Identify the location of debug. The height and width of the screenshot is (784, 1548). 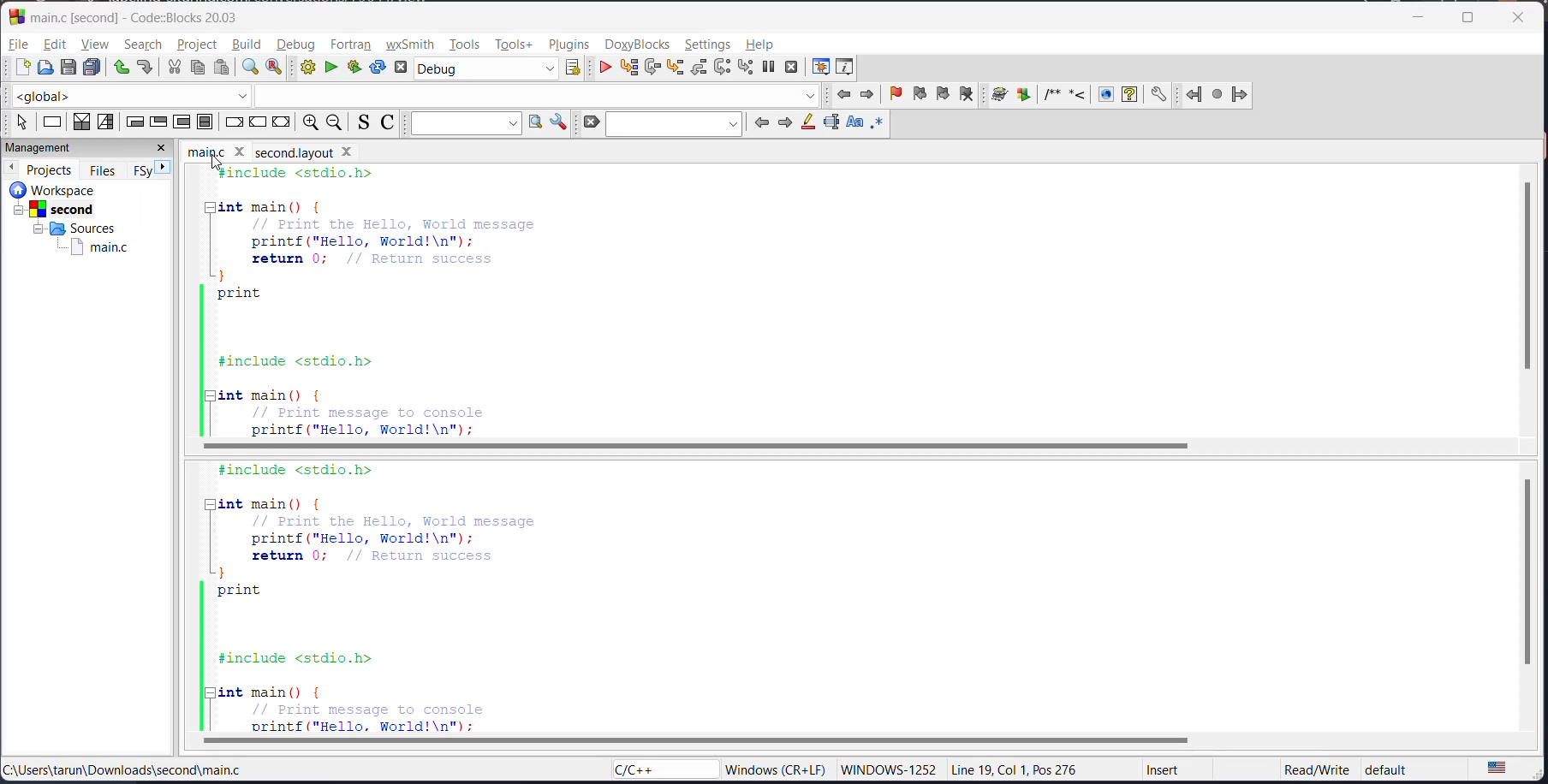
(299, 45).